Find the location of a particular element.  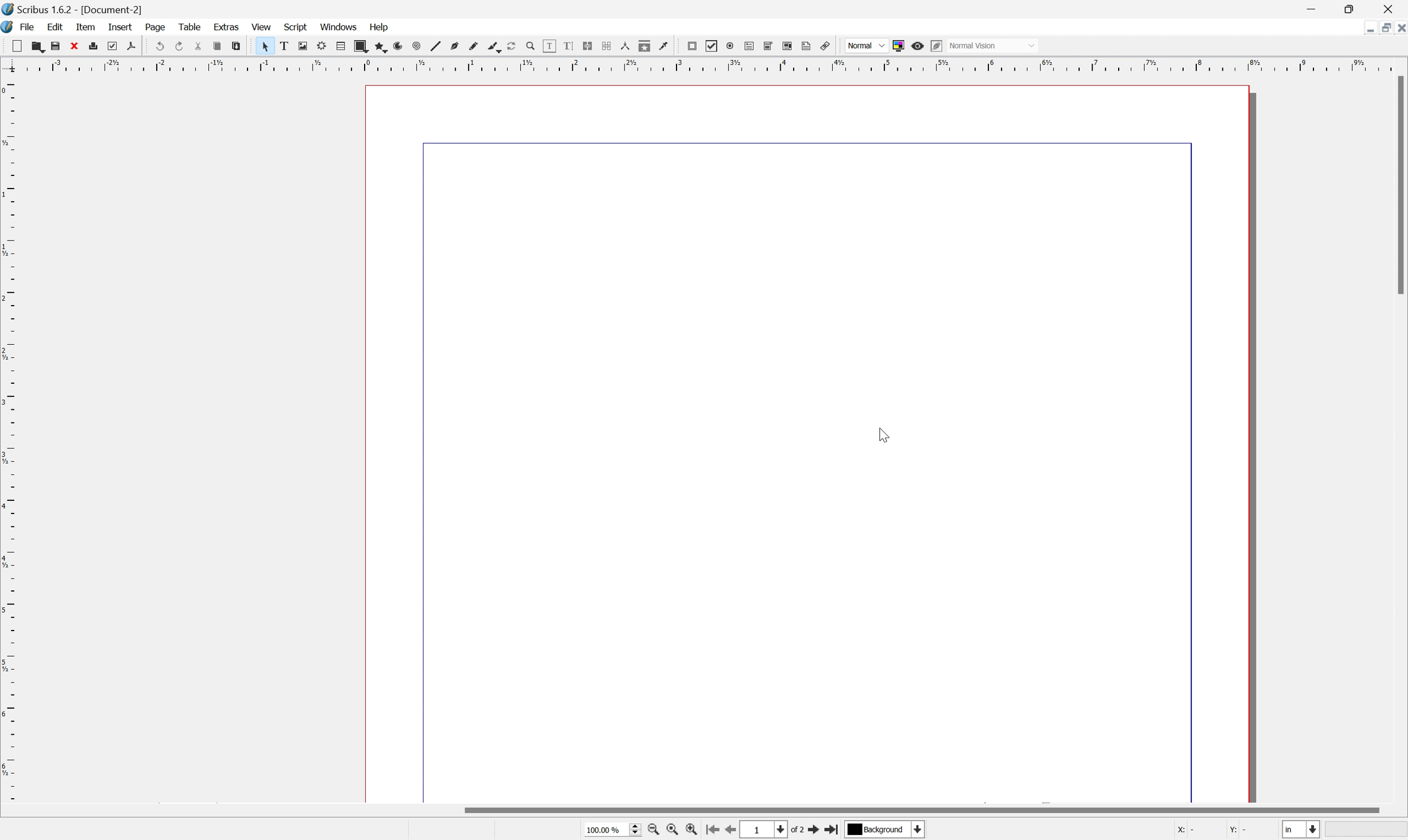

Calligraphic view is located at coordinates (491, 46).